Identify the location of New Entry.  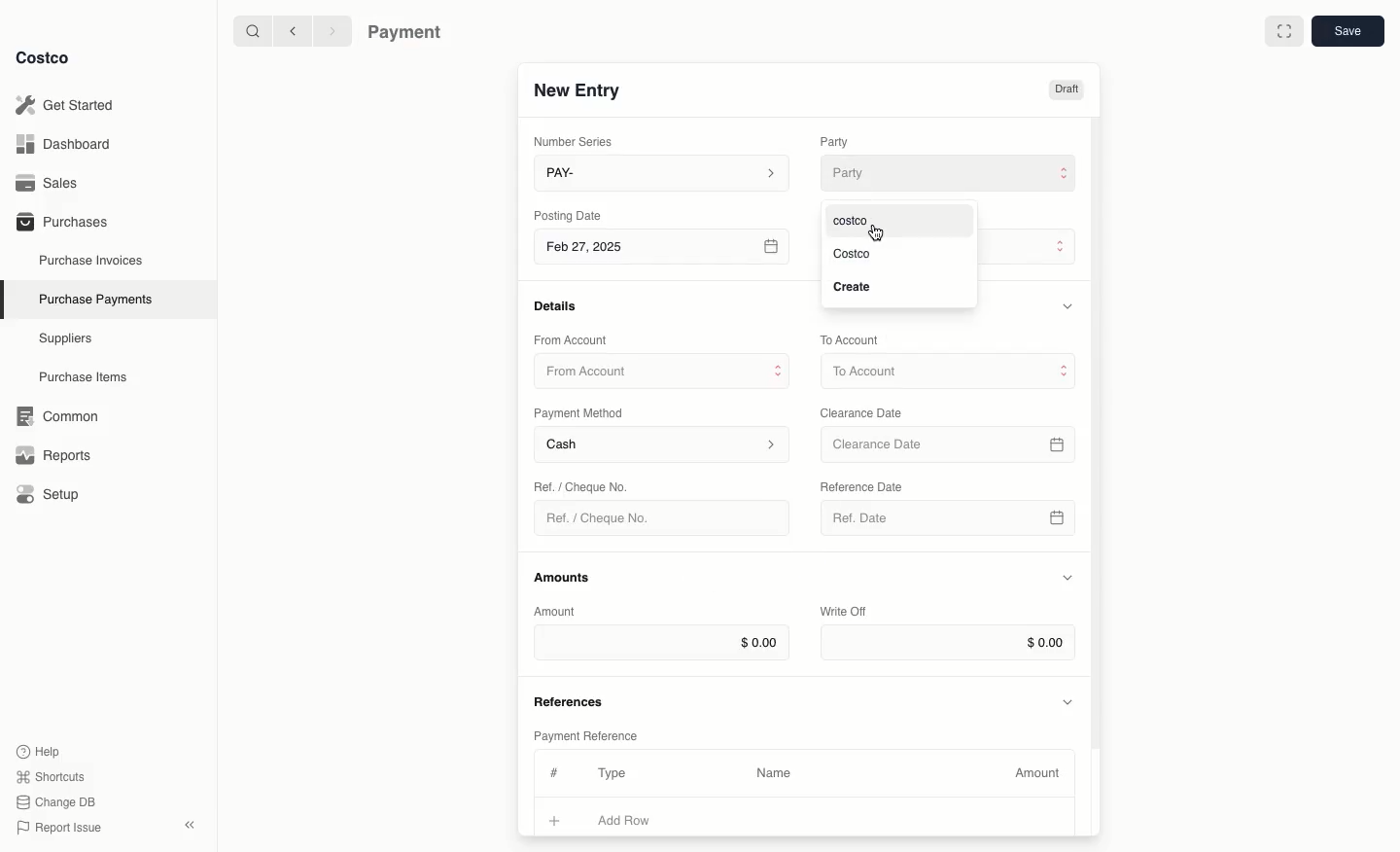
(578, 89).